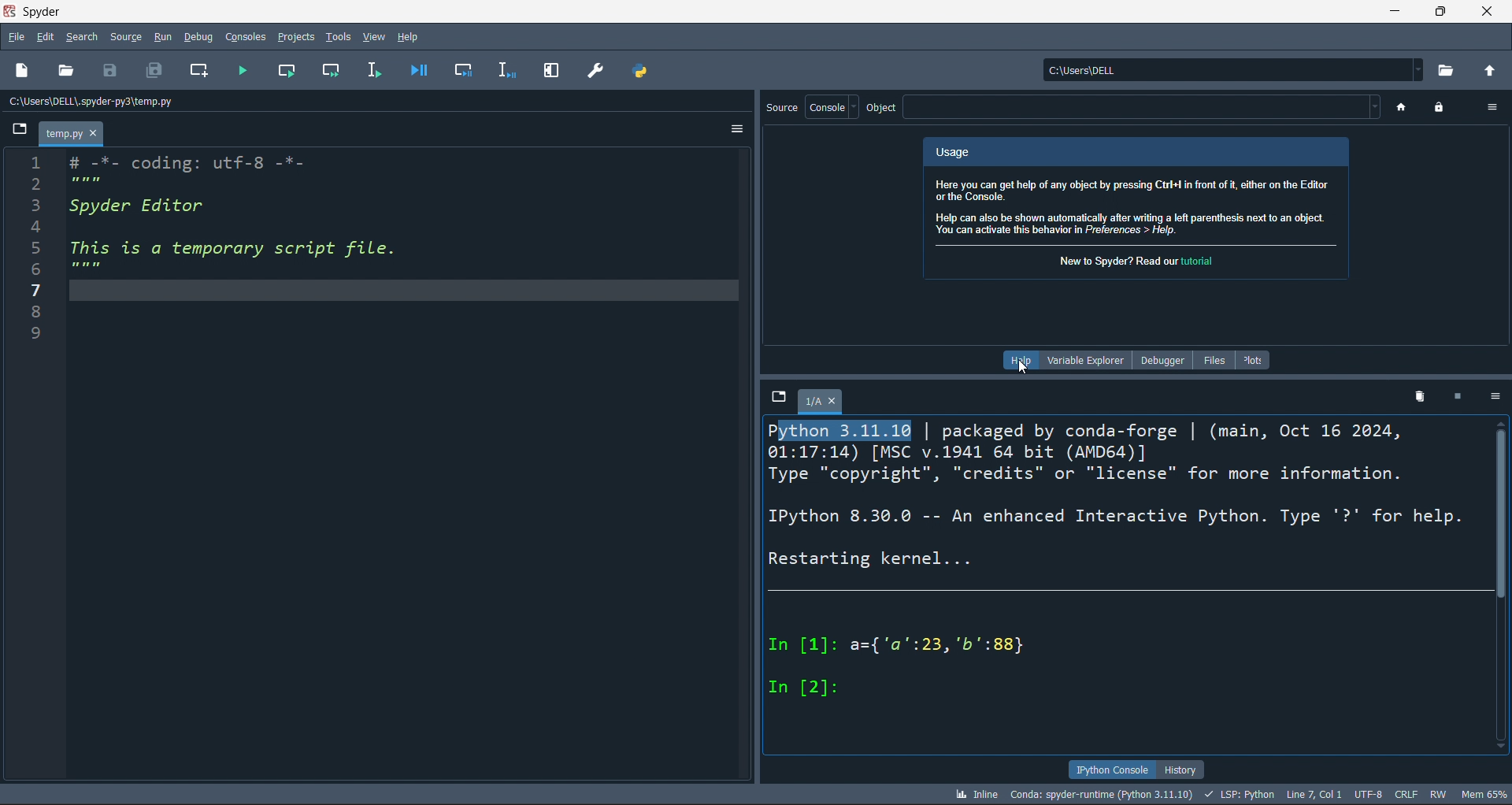  I want to click on c:\users\dell\.spyder-py3\temp.py, so click(93, 102).